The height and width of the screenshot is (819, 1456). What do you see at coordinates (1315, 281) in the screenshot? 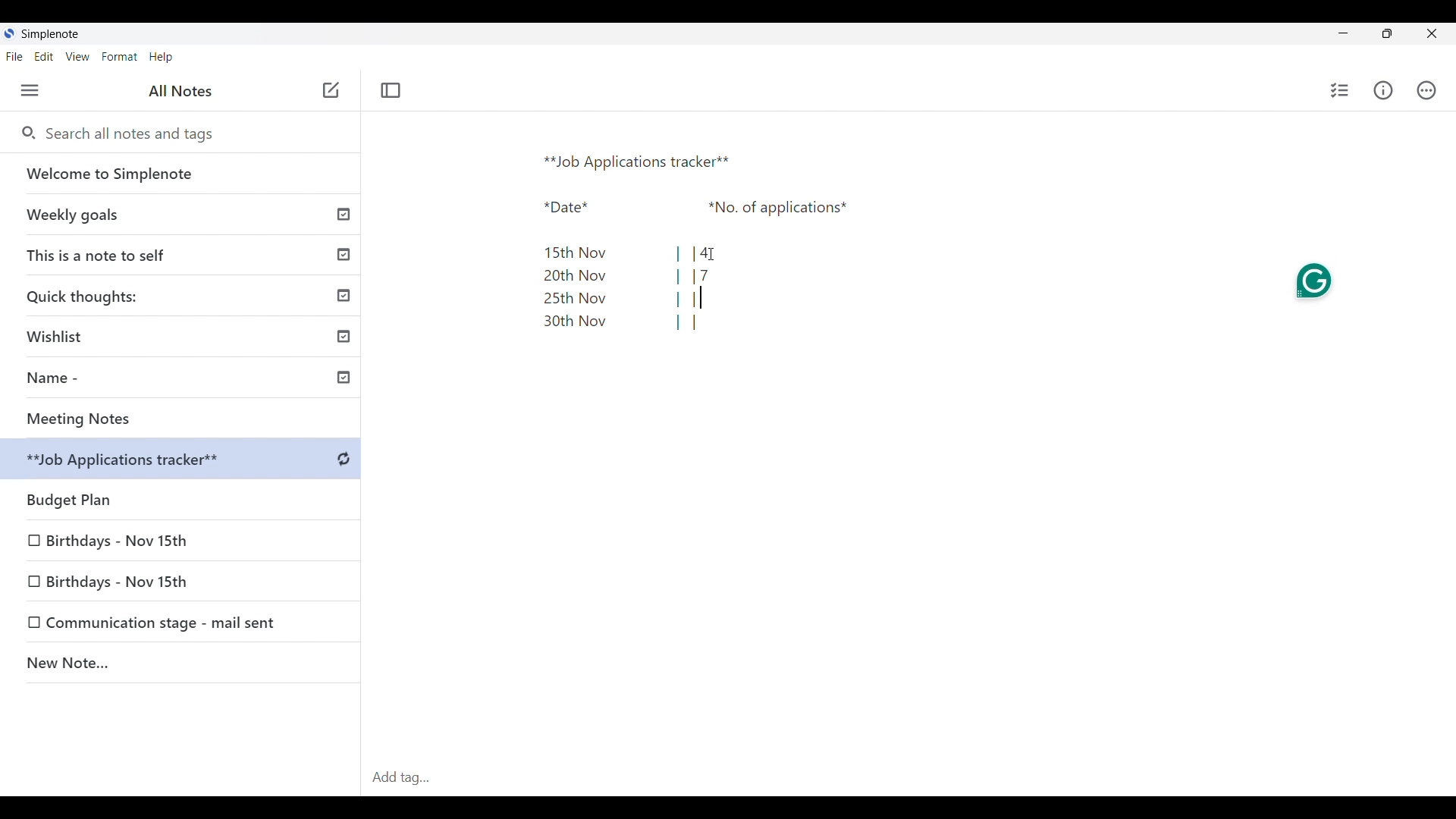
I see `Grammarly extension on` at bounding box center [1315, 281].